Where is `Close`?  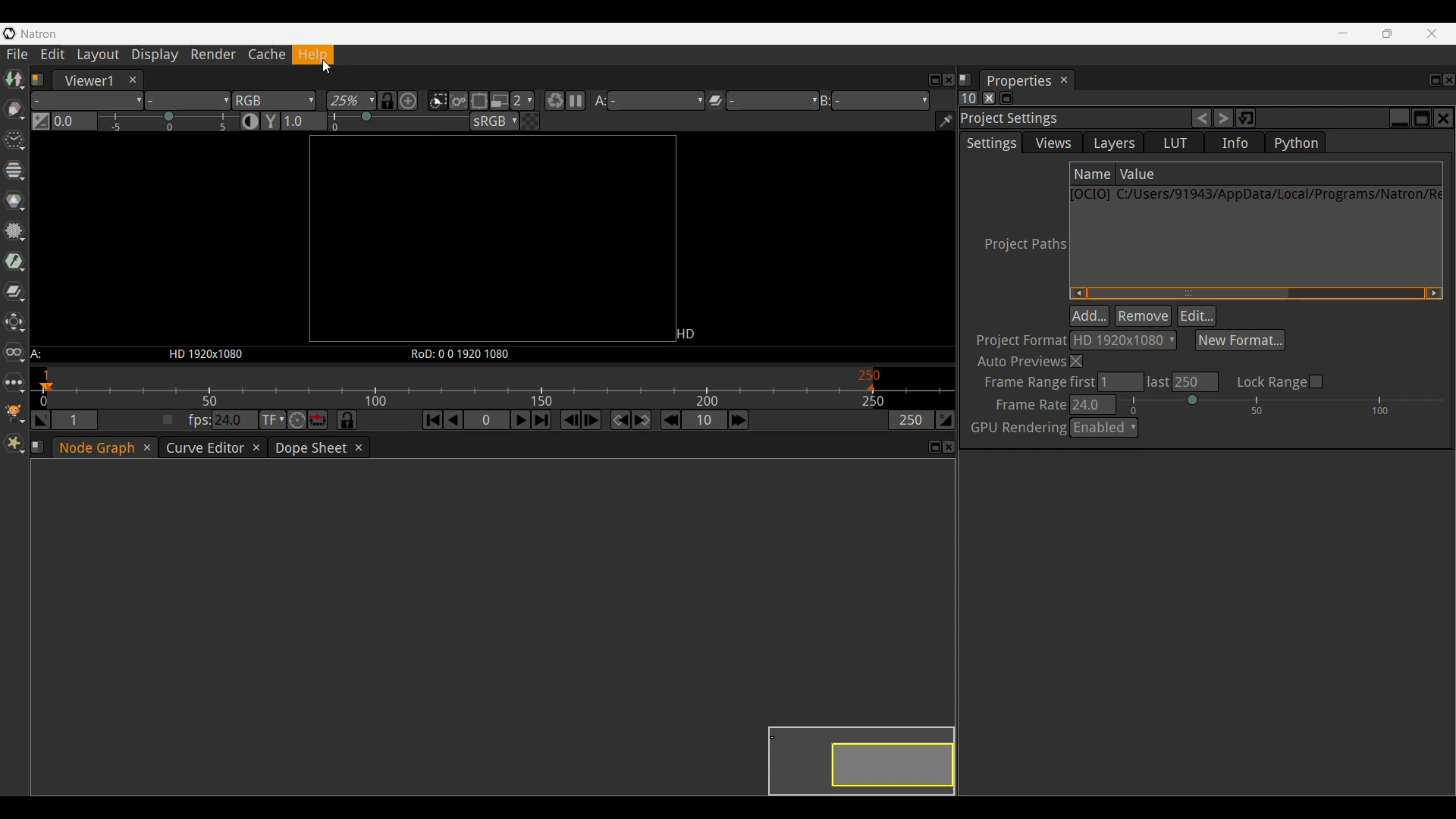
Close is located at coordinates (1079, 362).